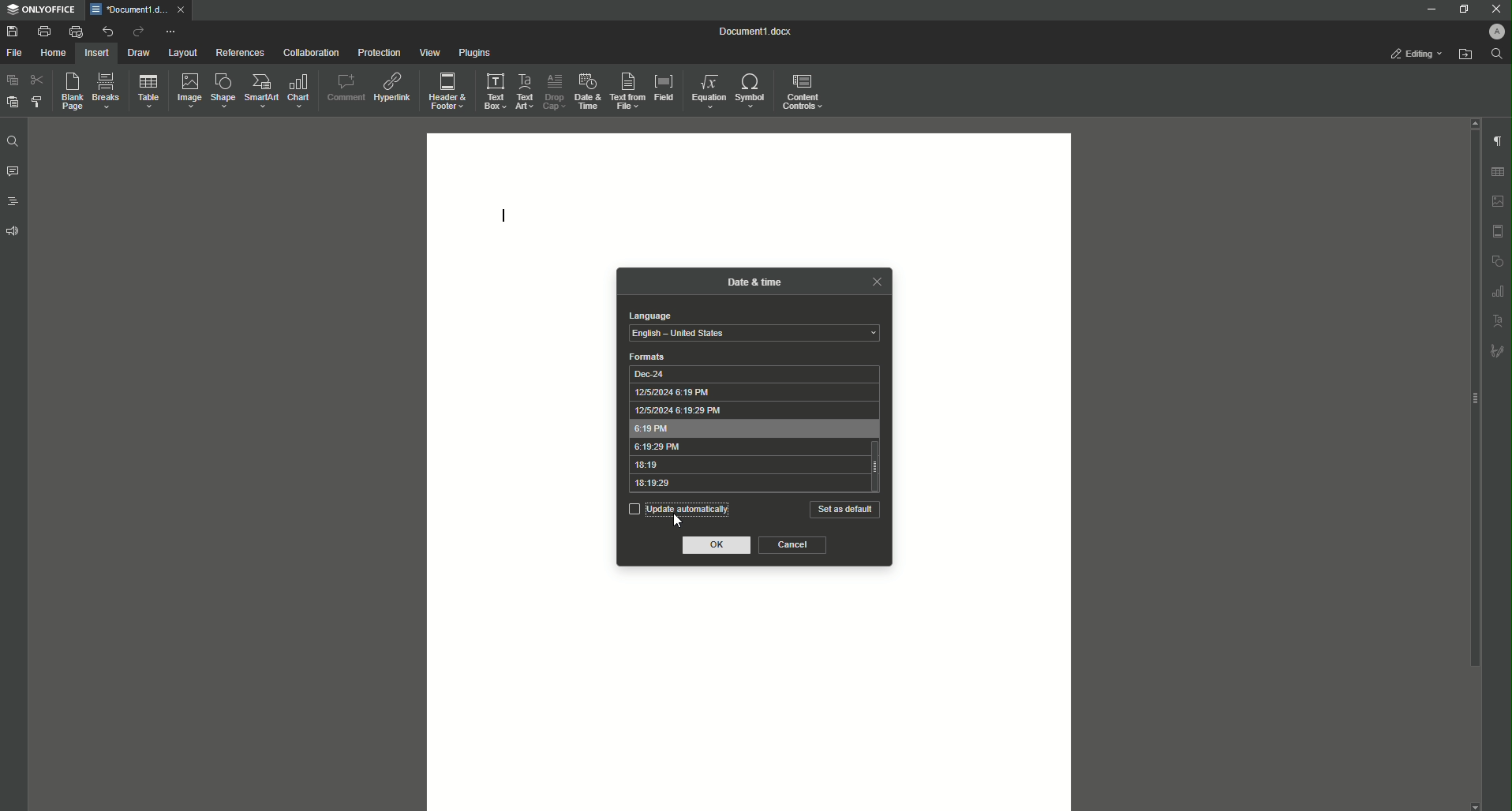  Describe the element at coordinates (876, 281) in the screenshot. I see `close` at that location.